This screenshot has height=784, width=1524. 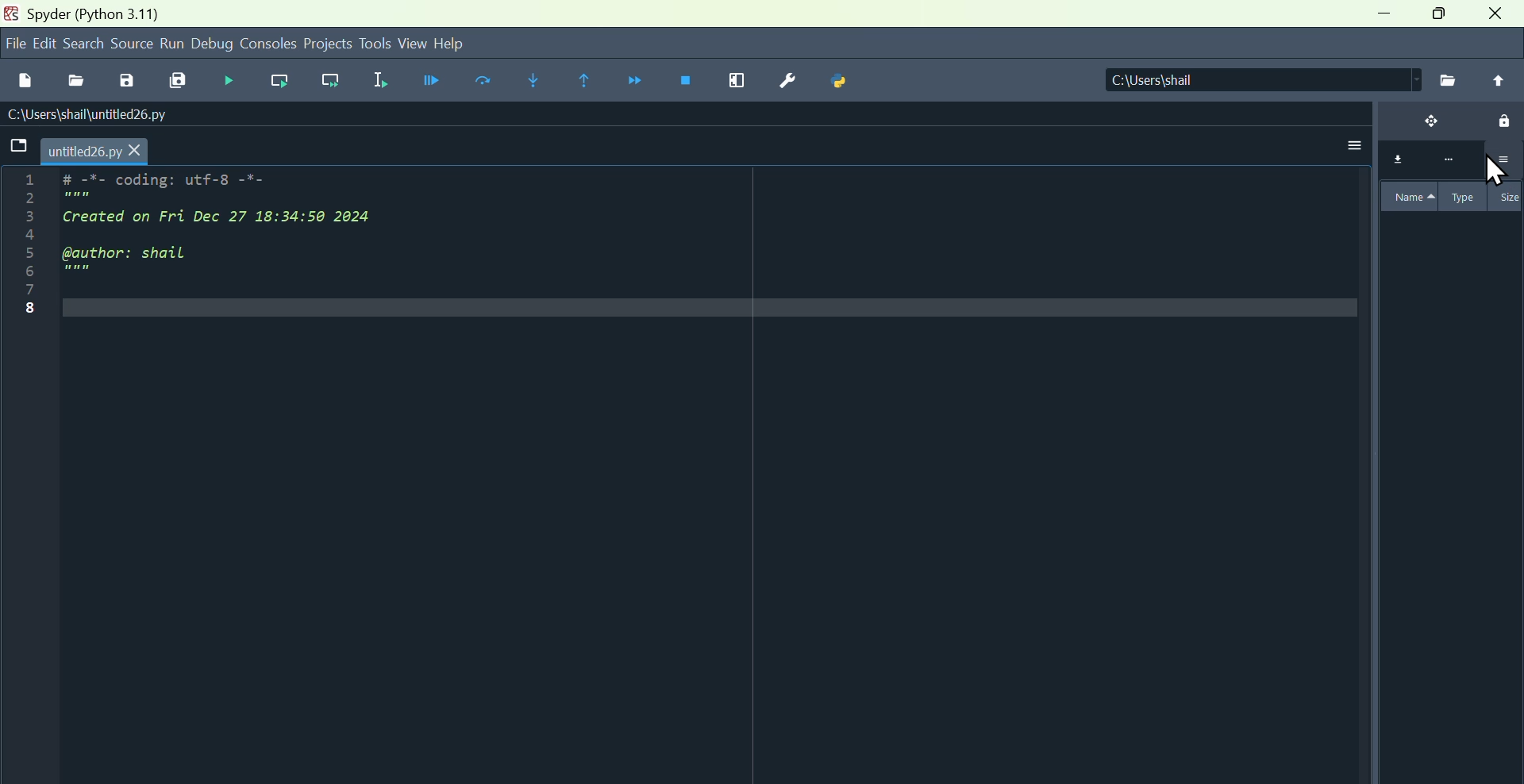 What do you see at coordinates (44, 43) in the screenshot?
I see `` at bounding box center [44, 43].